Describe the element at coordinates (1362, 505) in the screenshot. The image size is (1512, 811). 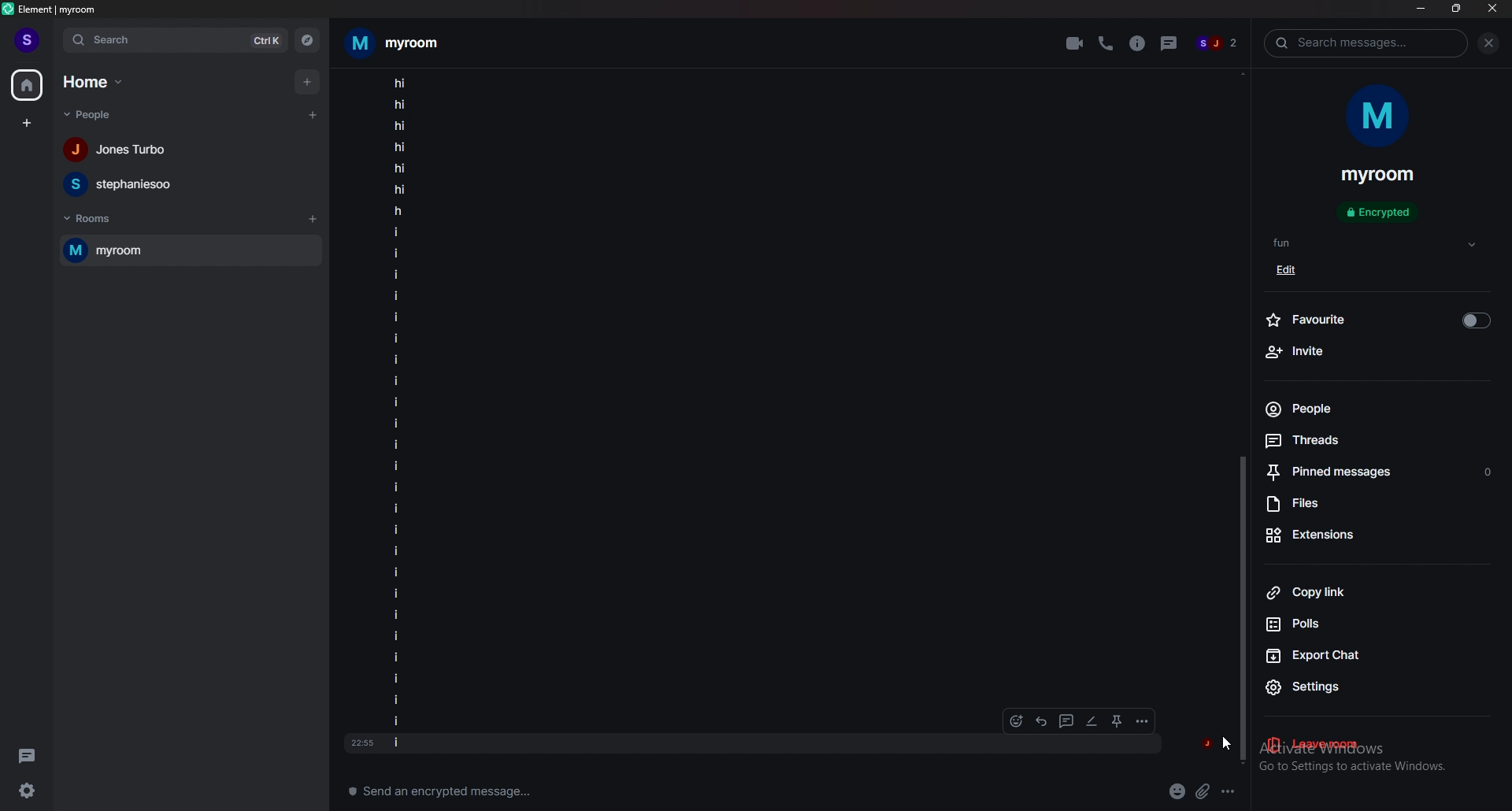
I see `files` at that location.